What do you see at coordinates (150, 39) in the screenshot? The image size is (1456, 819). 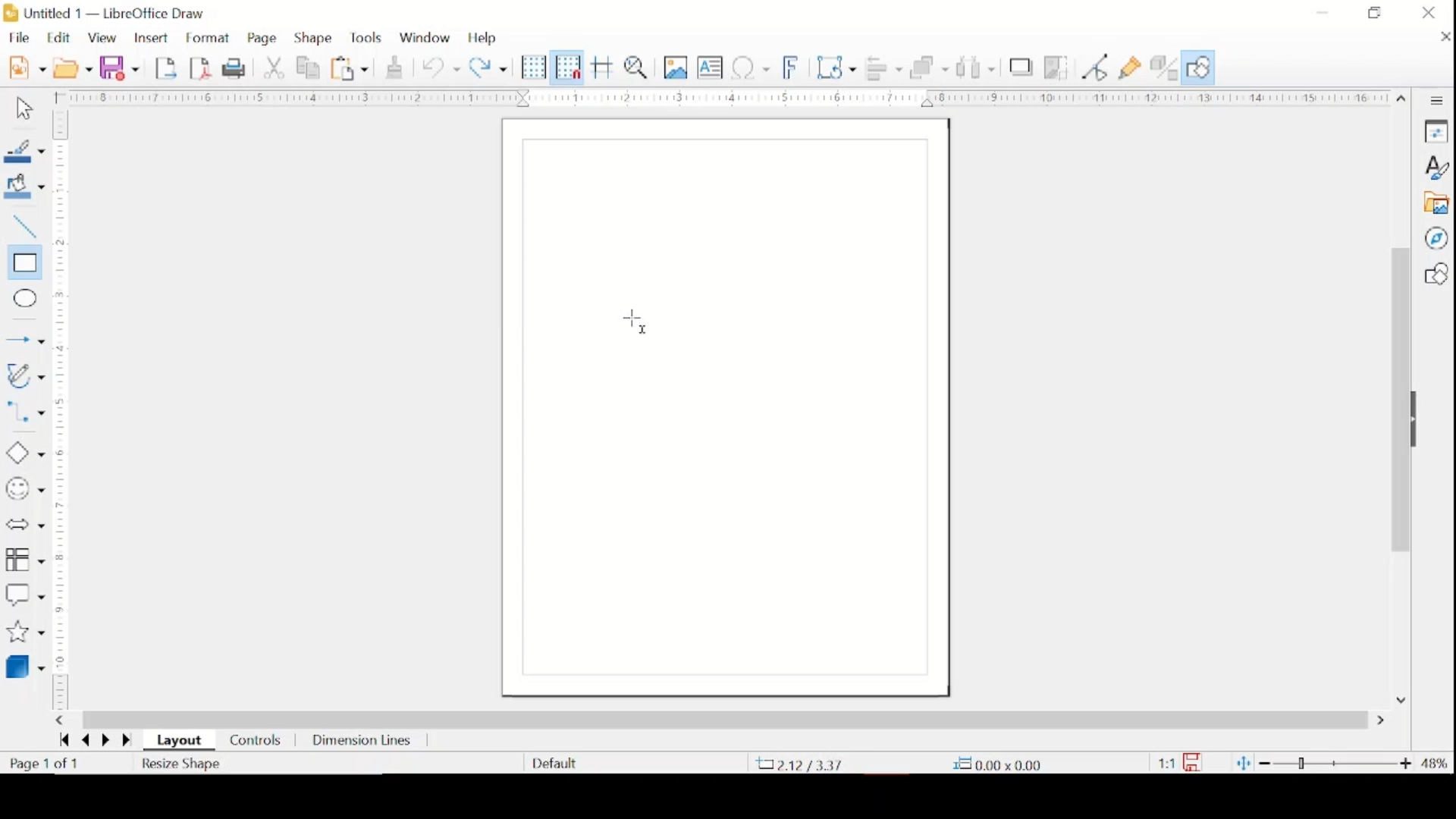 I see `insert` at bounding box center [150, 39].